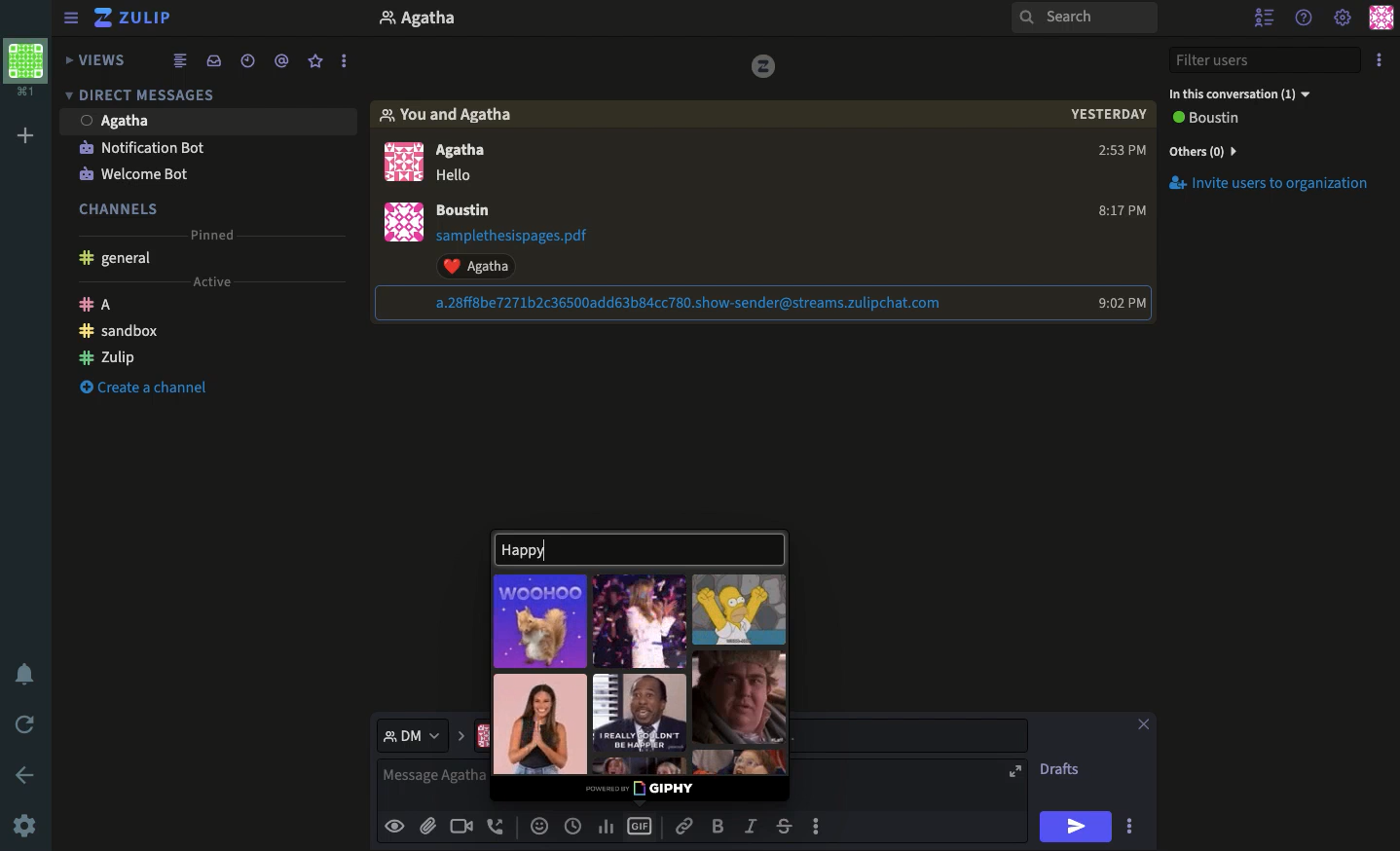 This screenshot has height=851, width=1400. I want to click on More Options, so click(827, 827).